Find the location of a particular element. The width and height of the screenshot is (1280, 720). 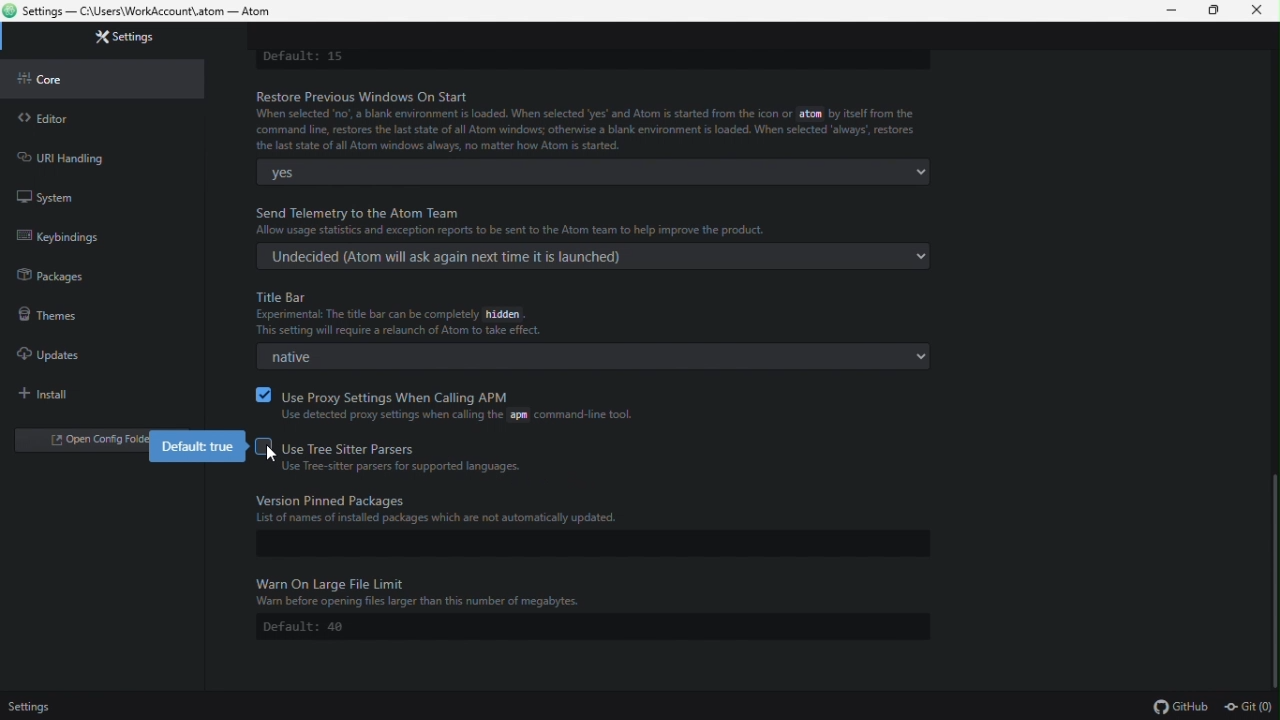

file name and file path is located at coordinates (147, 12).